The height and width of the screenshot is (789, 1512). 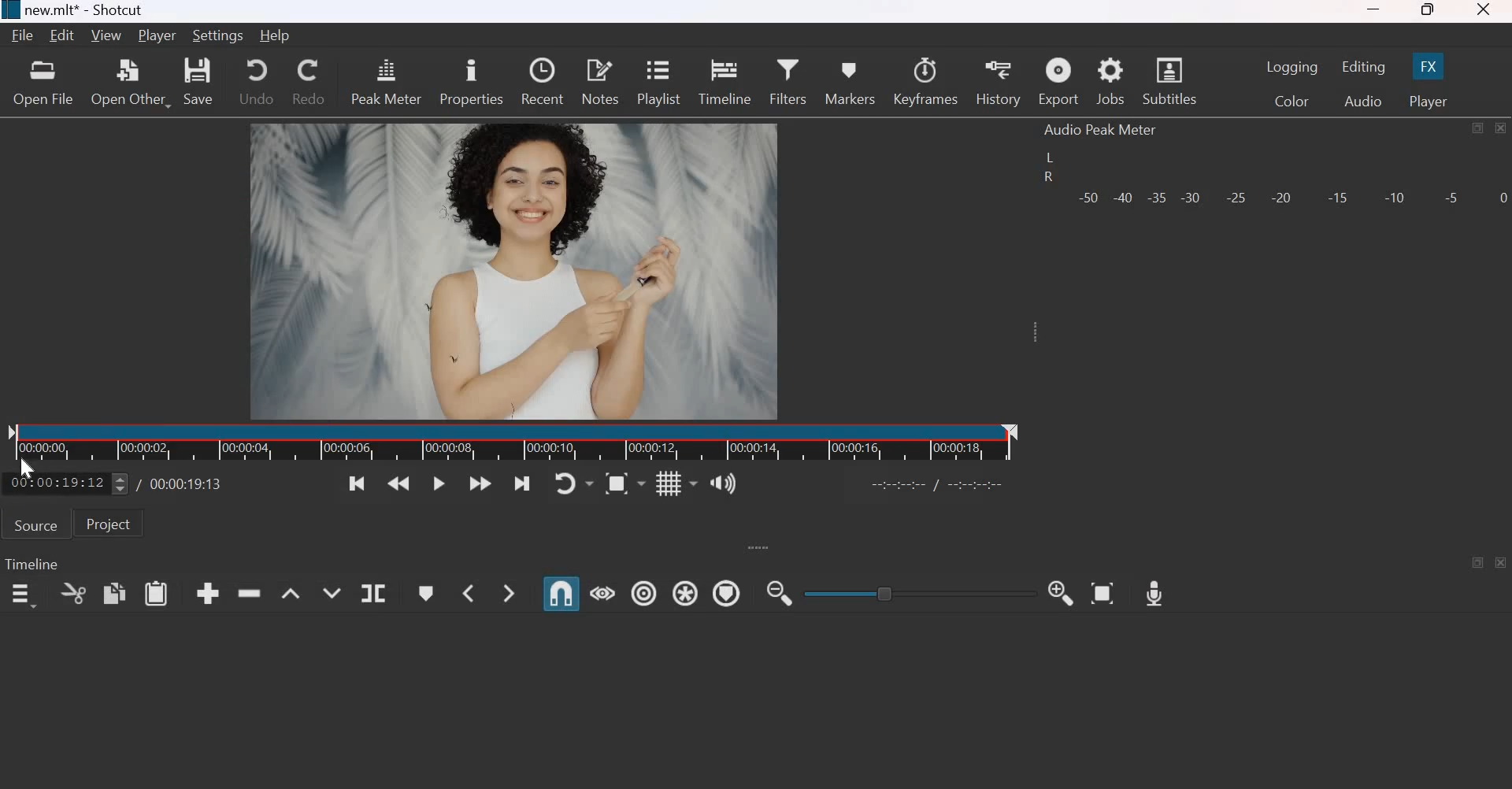 I want to click on close, so click(x=1501, y=128).